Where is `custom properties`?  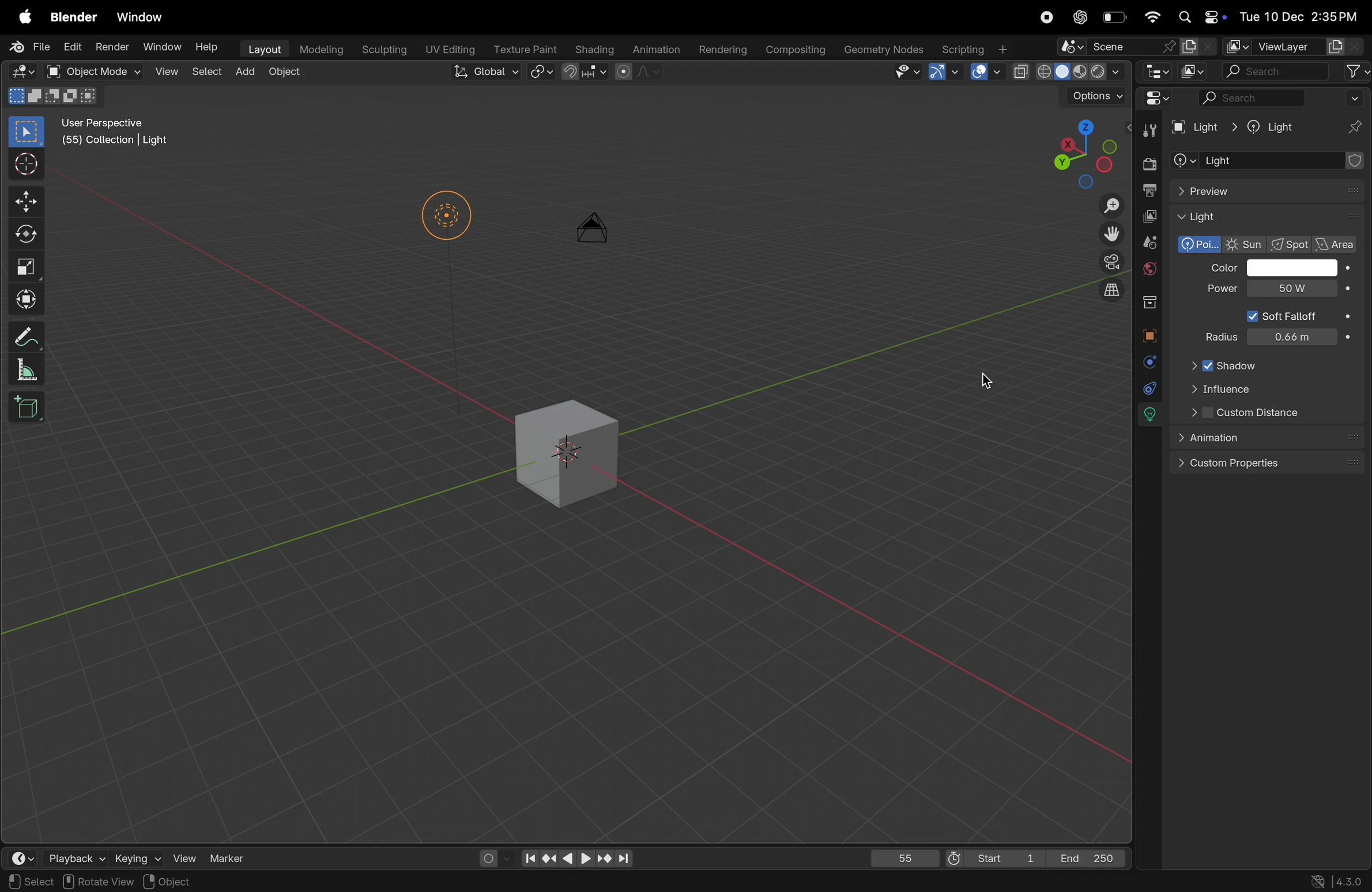
custom properties is located at coordinates (1266, 462).